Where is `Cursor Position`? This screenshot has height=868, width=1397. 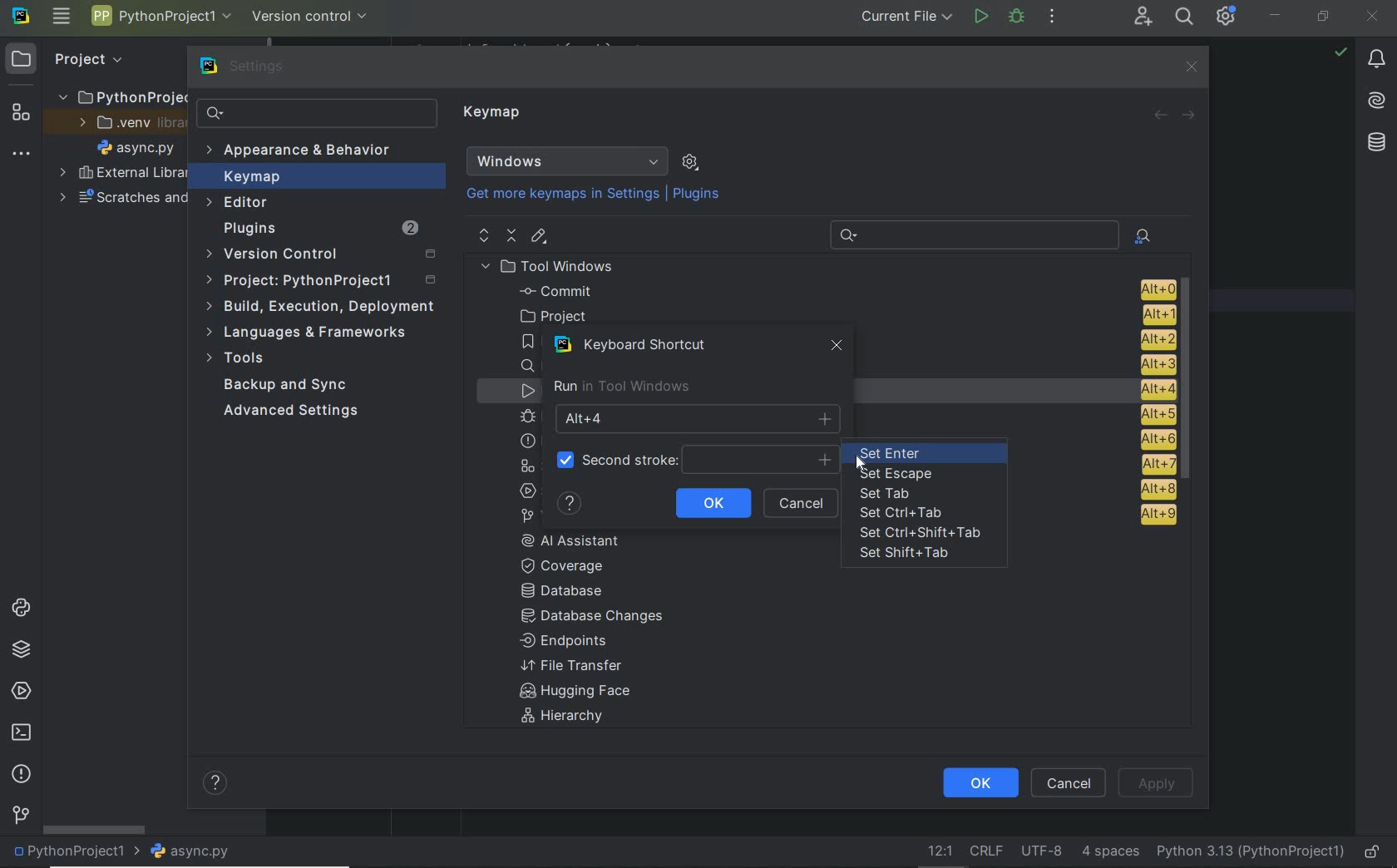 Cursor Position is located at coordinates (861, 460).